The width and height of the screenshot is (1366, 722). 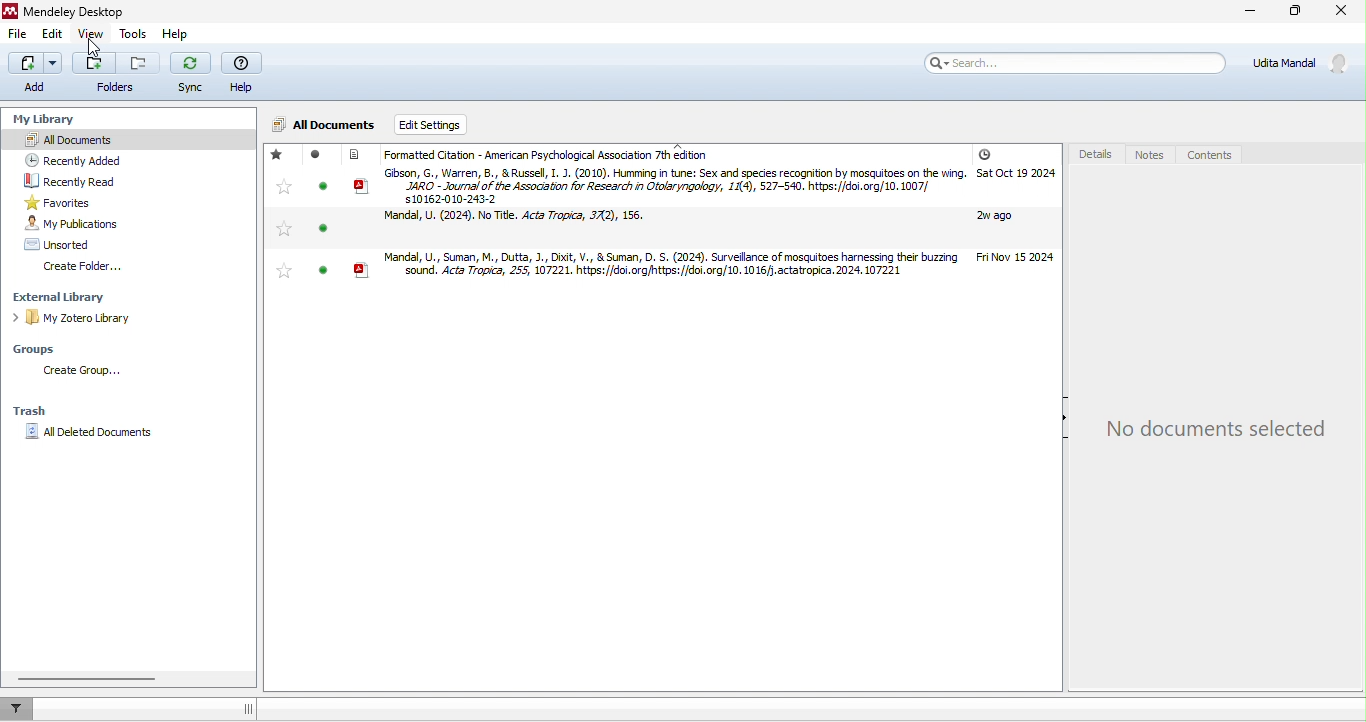 I want to click on notes, so click(x=1151, y=155).